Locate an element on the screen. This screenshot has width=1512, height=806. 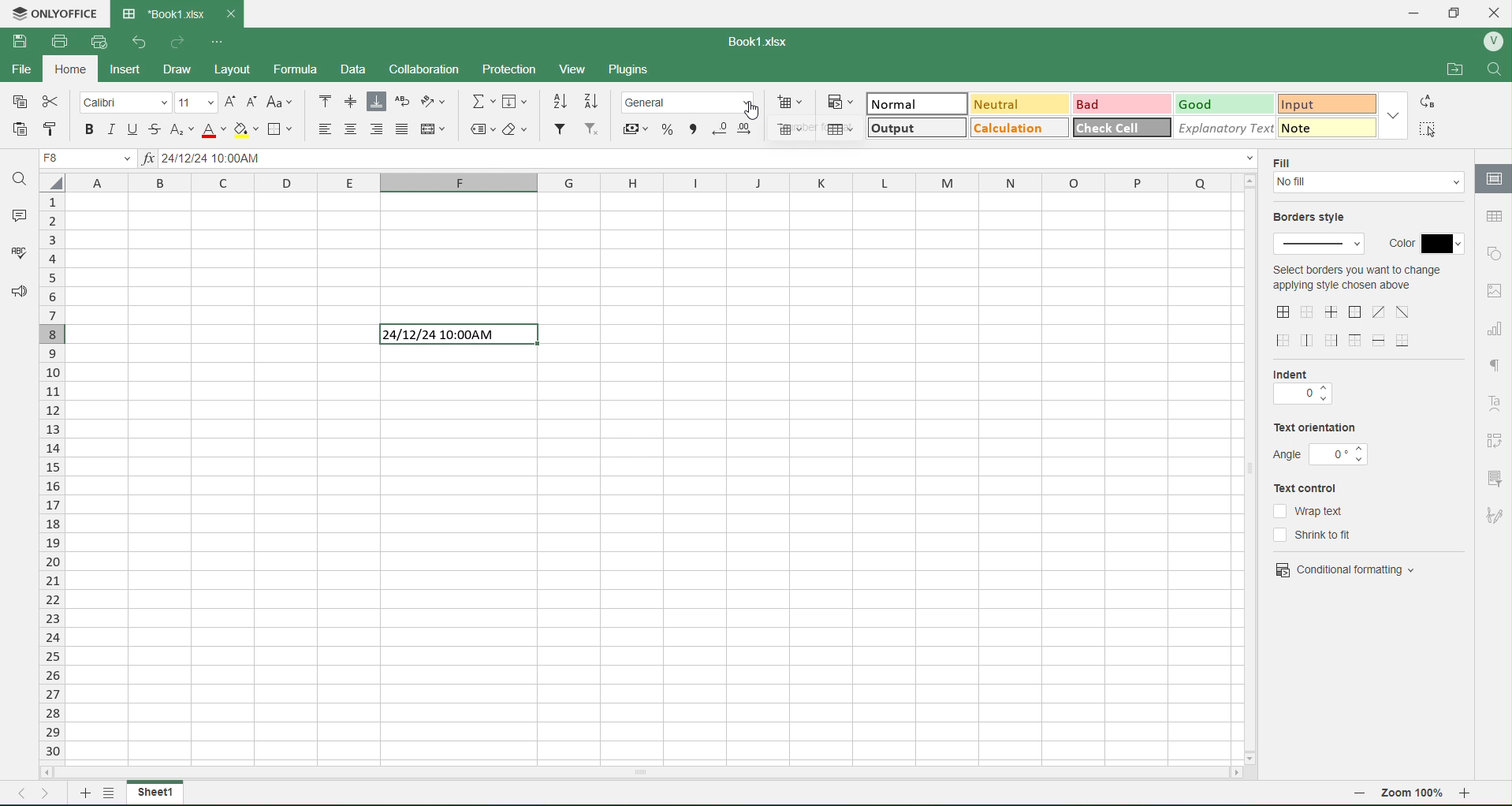
Clear Filter is located at coordinates (592, 130).